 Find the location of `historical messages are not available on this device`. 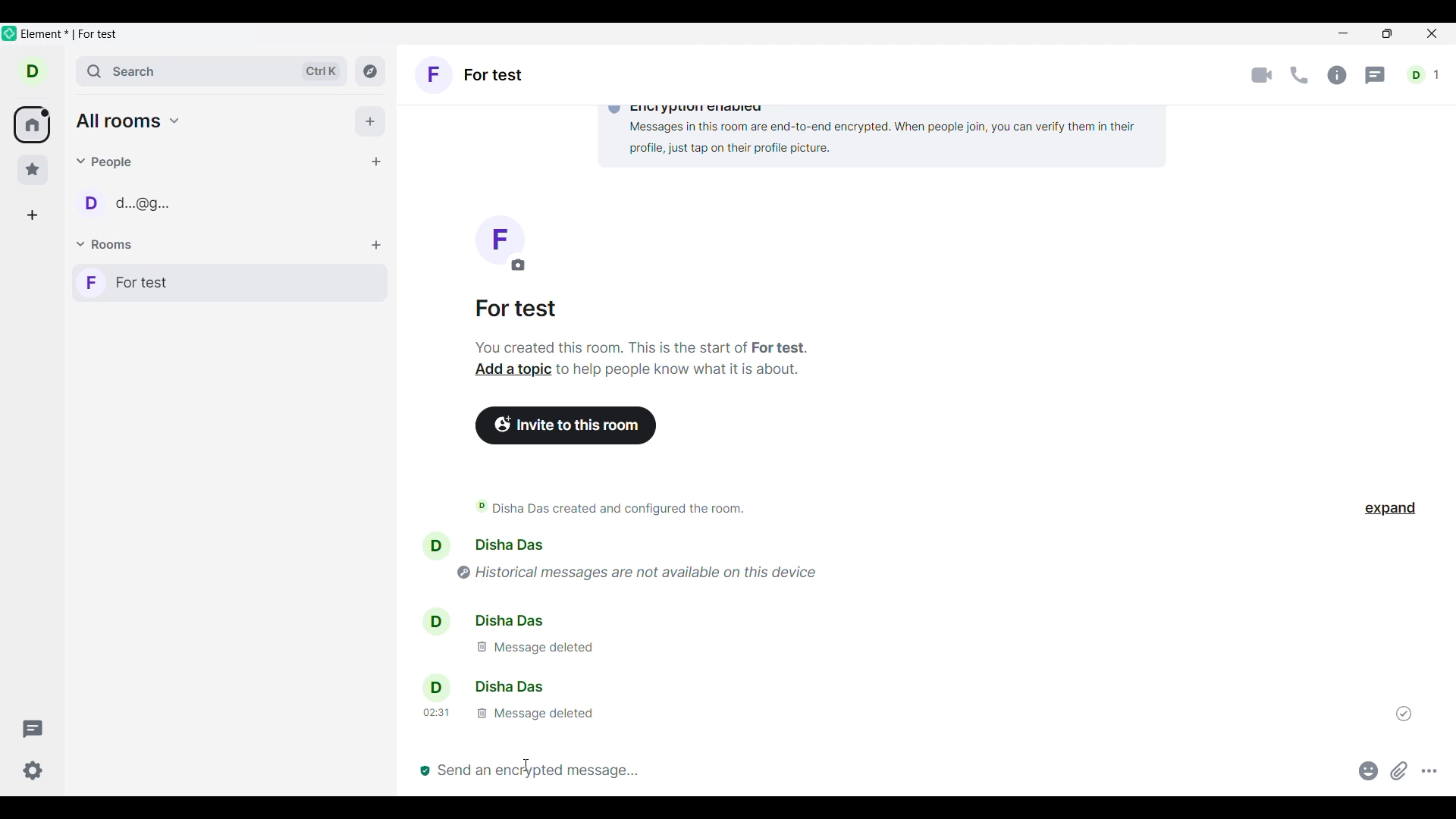

historical messages are not available on this device is located at coordinates (649, 570).